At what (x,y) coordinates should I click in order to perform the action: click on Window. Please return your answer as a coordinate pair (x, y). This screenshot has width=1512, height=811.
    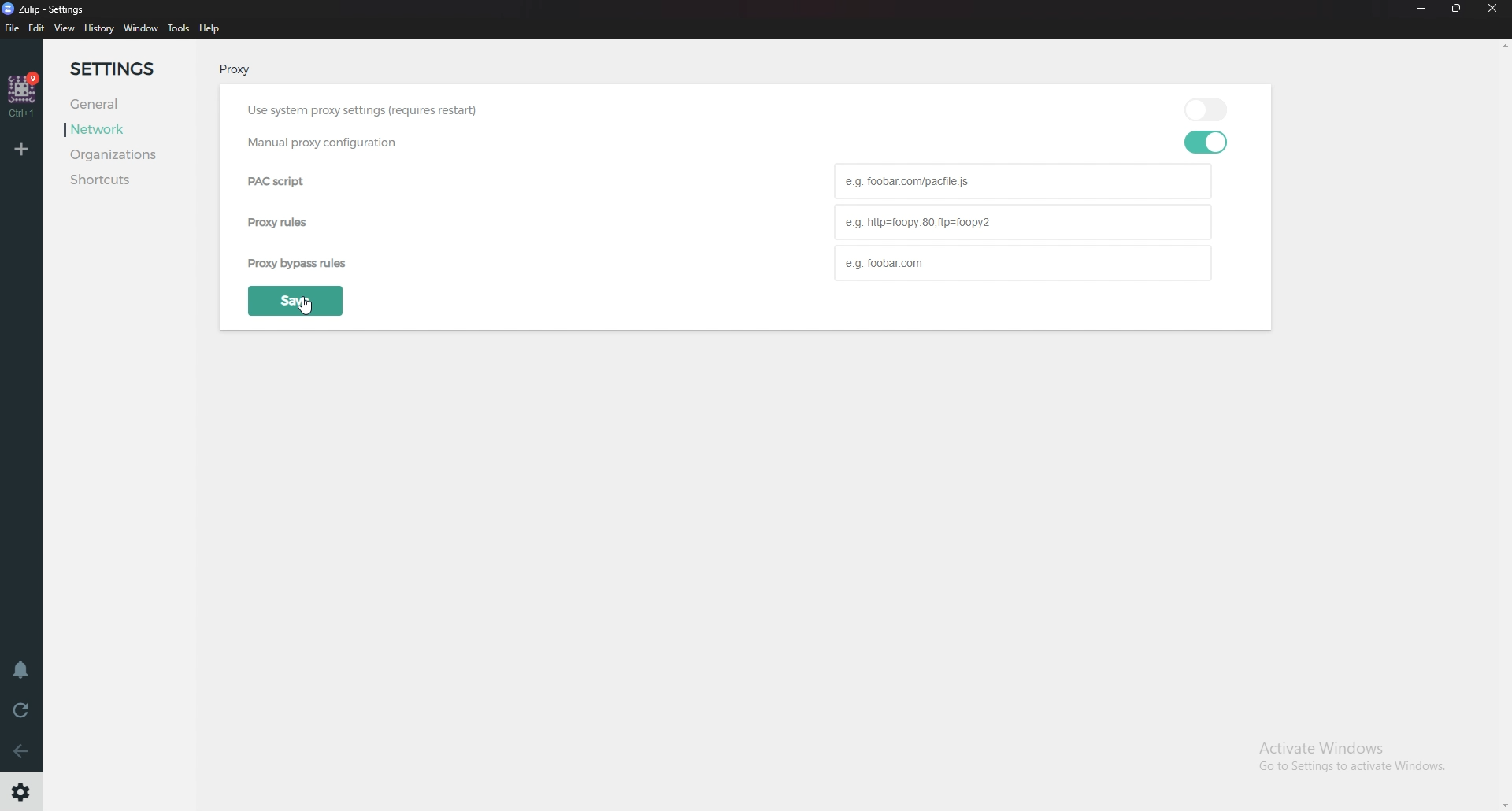
    Looking at the image, I should click on (140, 29).